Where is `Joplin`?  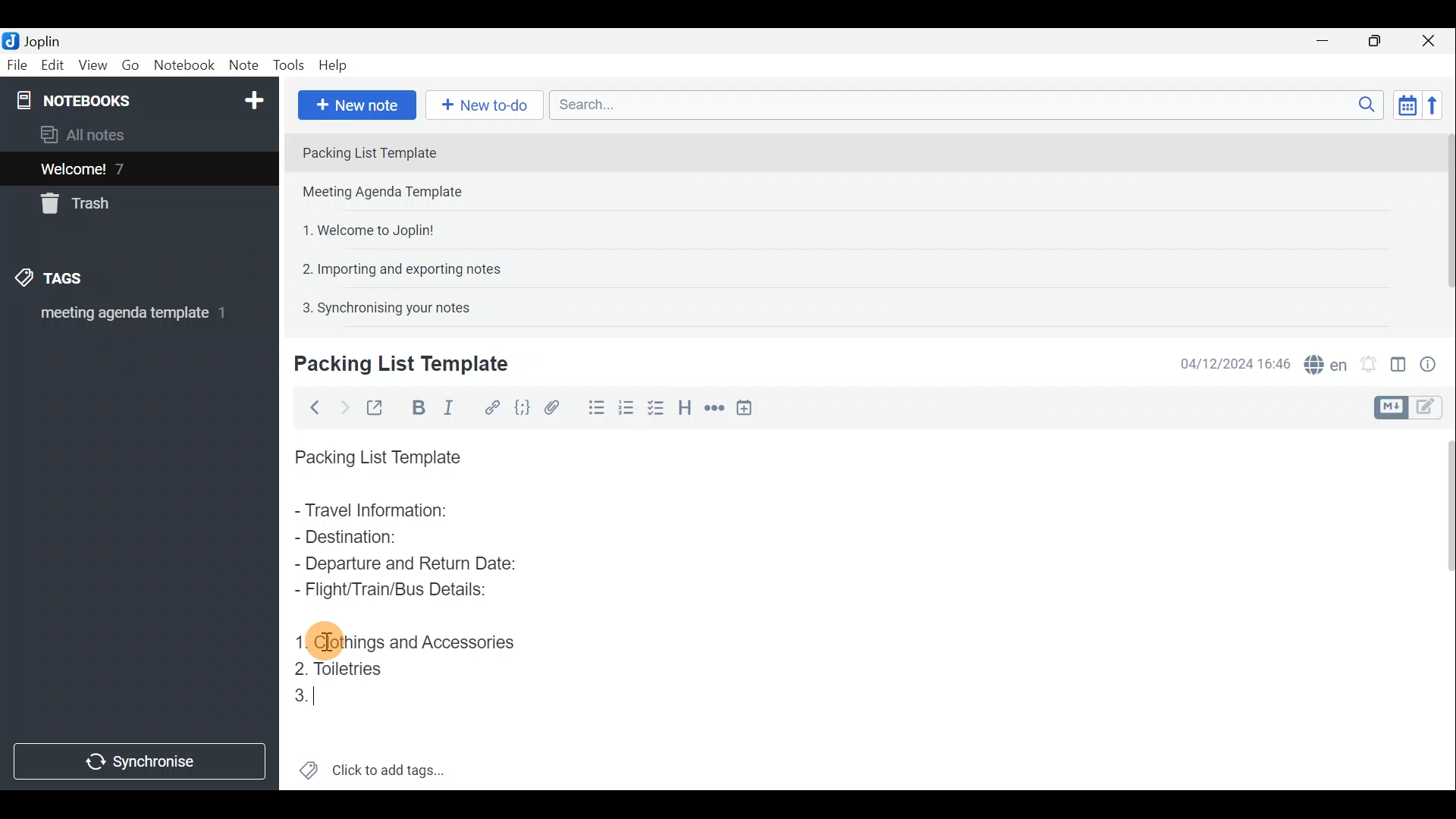 Joplin is located at coordinates (36, 40).